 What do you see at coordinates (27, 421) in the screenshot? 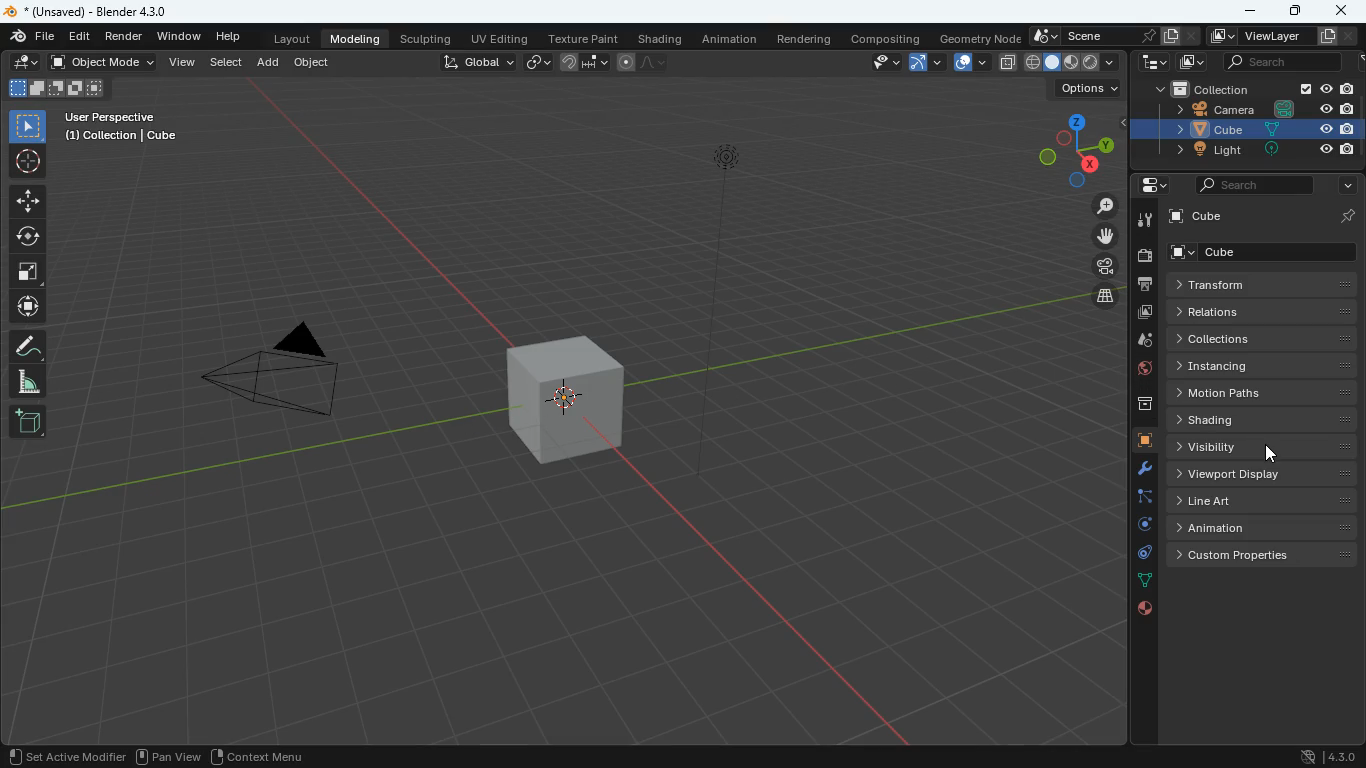
I see `add` at bounding box center [27, 421].